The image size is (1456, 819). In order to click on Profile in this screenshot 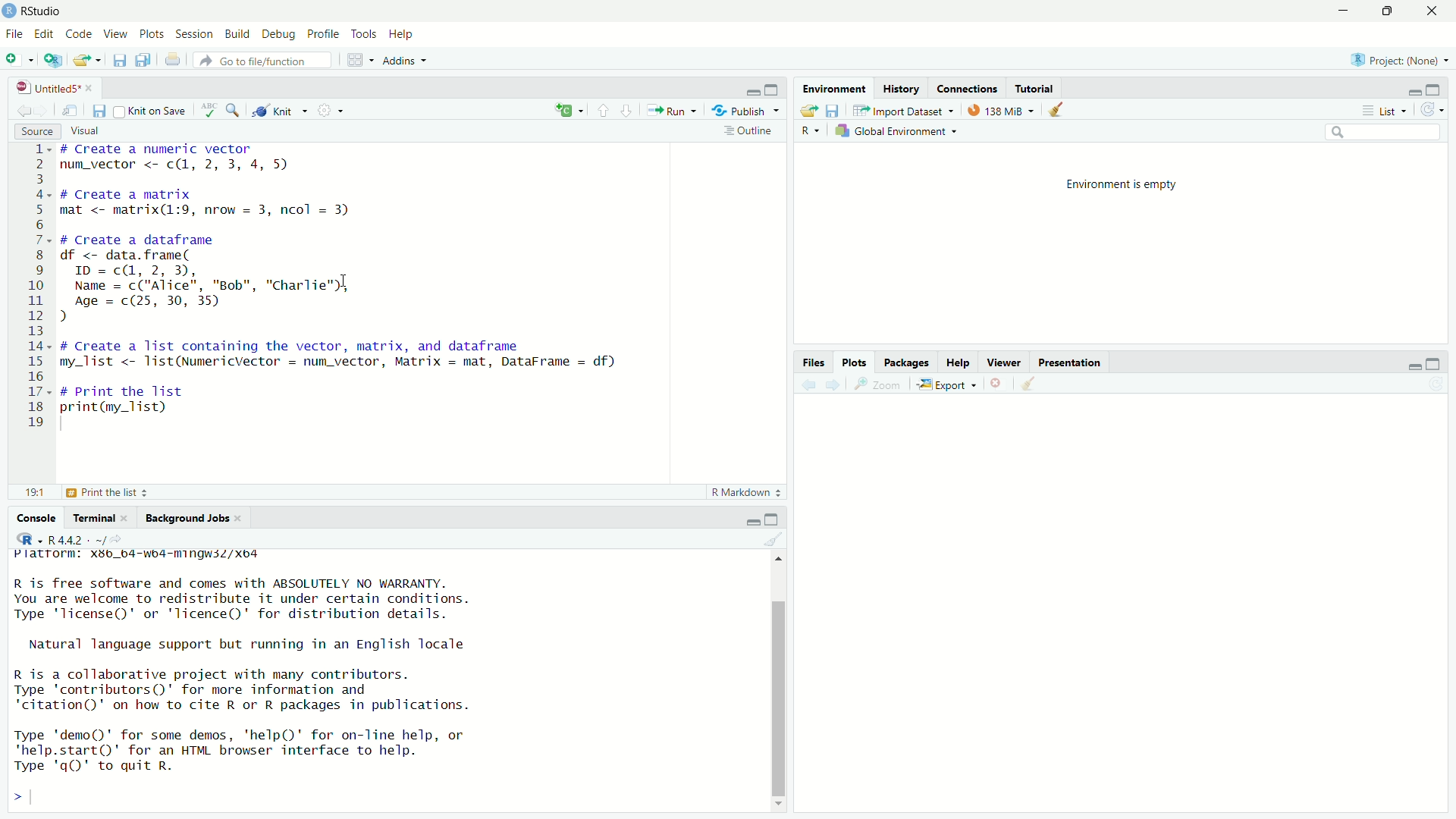, I will do `click(322, 33)`.